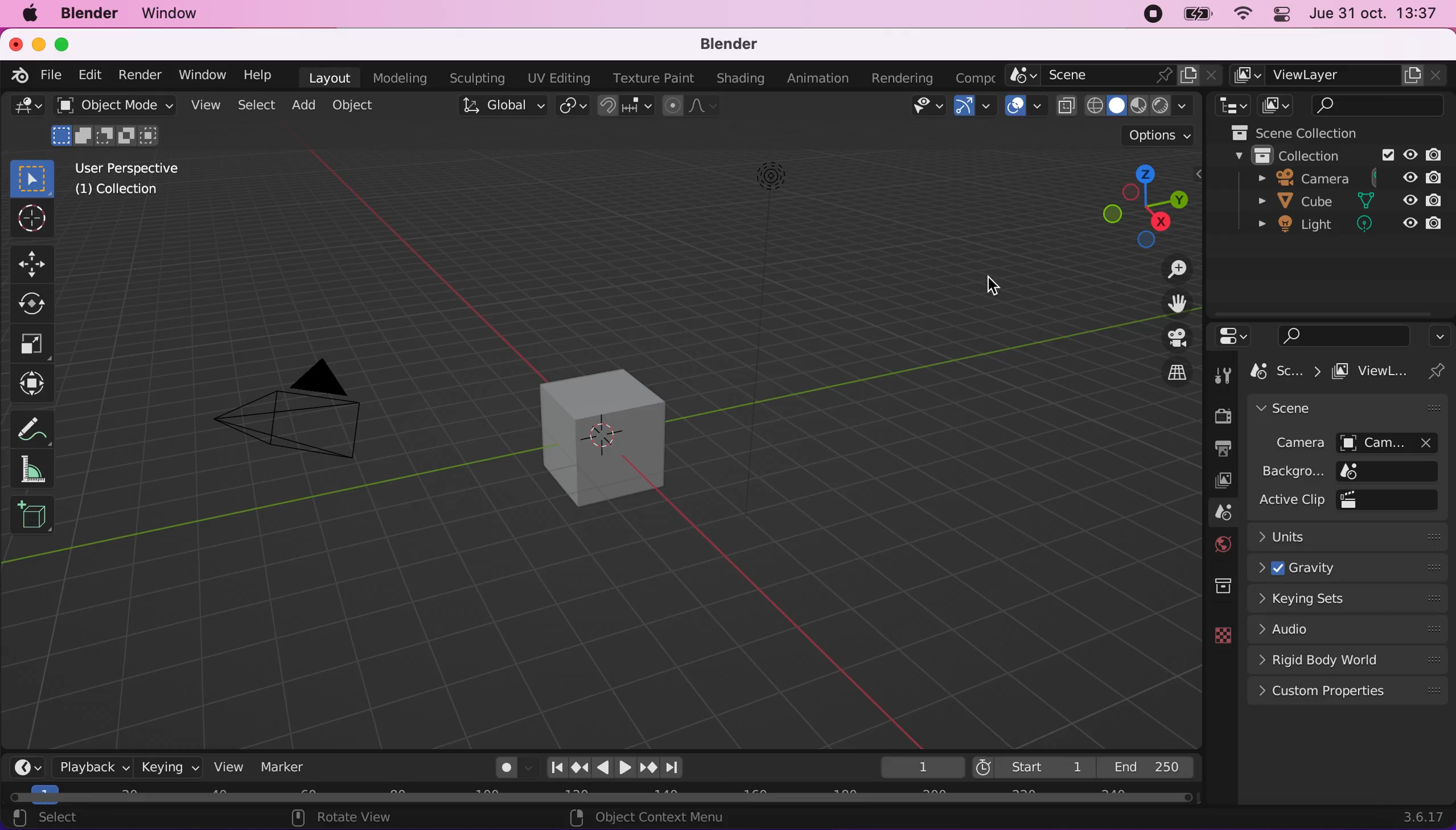 Image resolution: width=1456 pixels, height=830 pixels. What do you see at coordinates (556, 79) in the screenshot?
I see `uv editing` at bounding box center [556, 79].